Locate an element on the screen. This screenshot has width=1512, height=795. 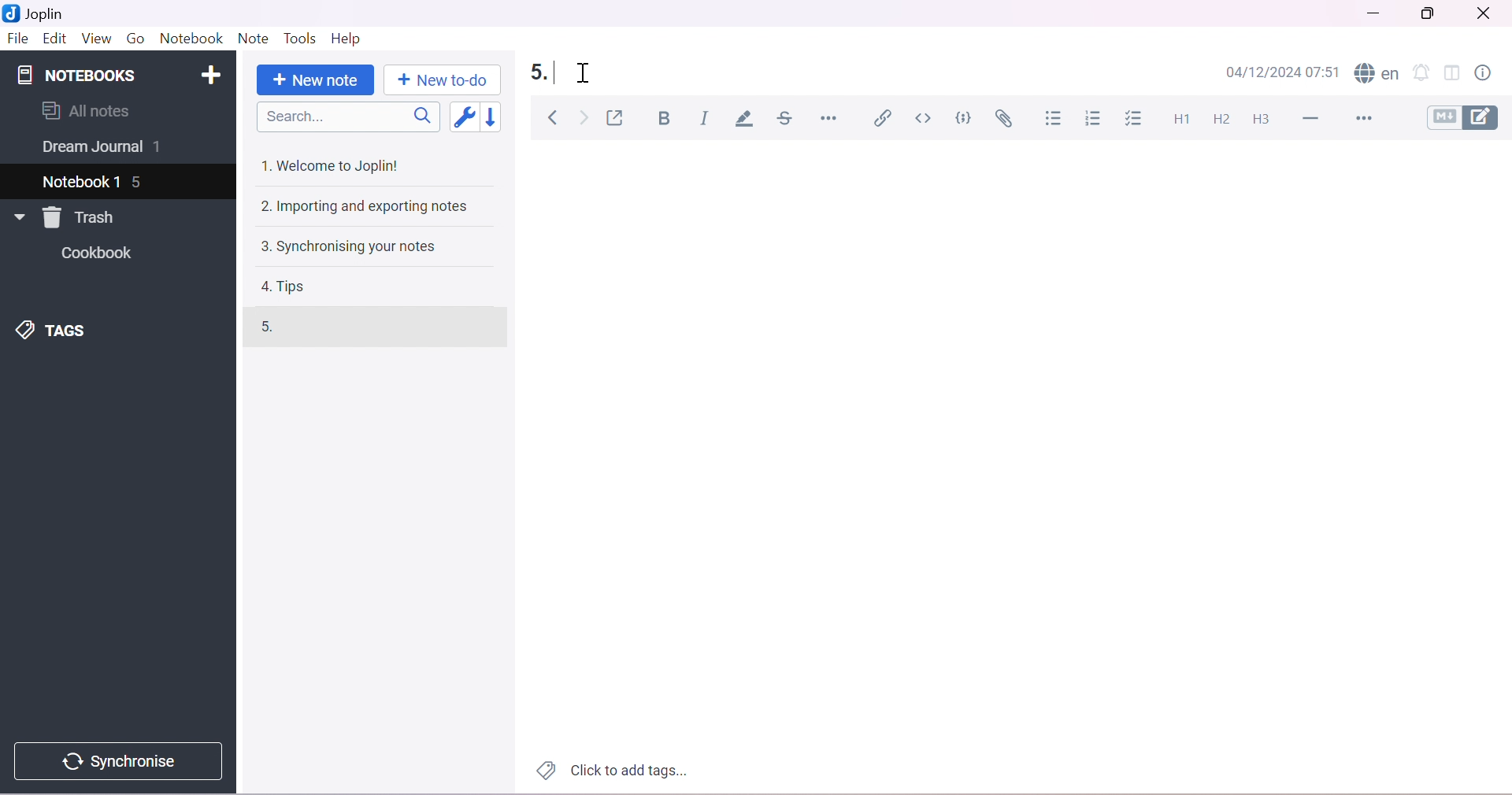
Tools is located at coordinates (302, 39).